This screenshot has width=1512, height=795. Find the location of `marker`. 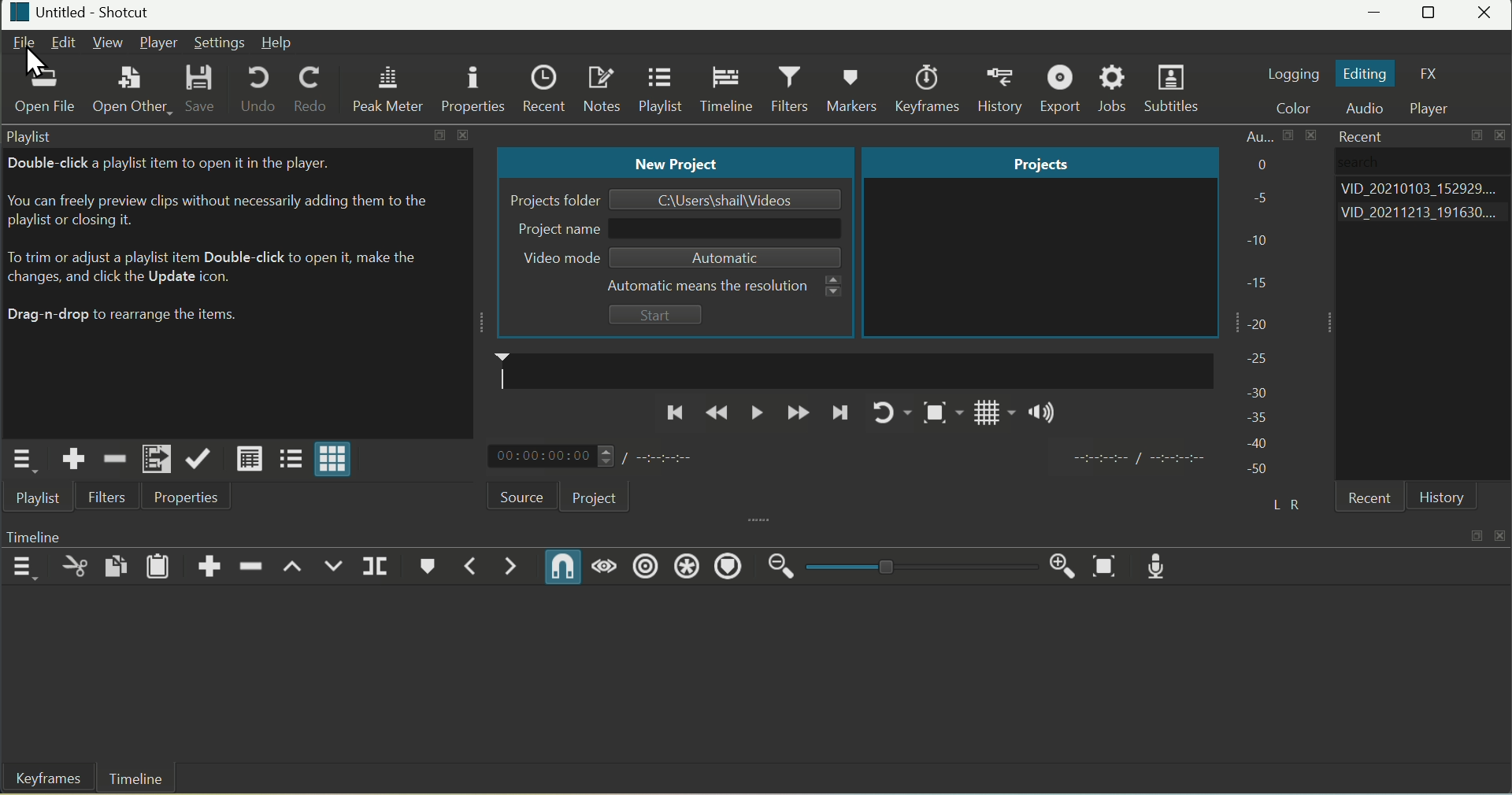

marker is located at coordinates (853, 370).